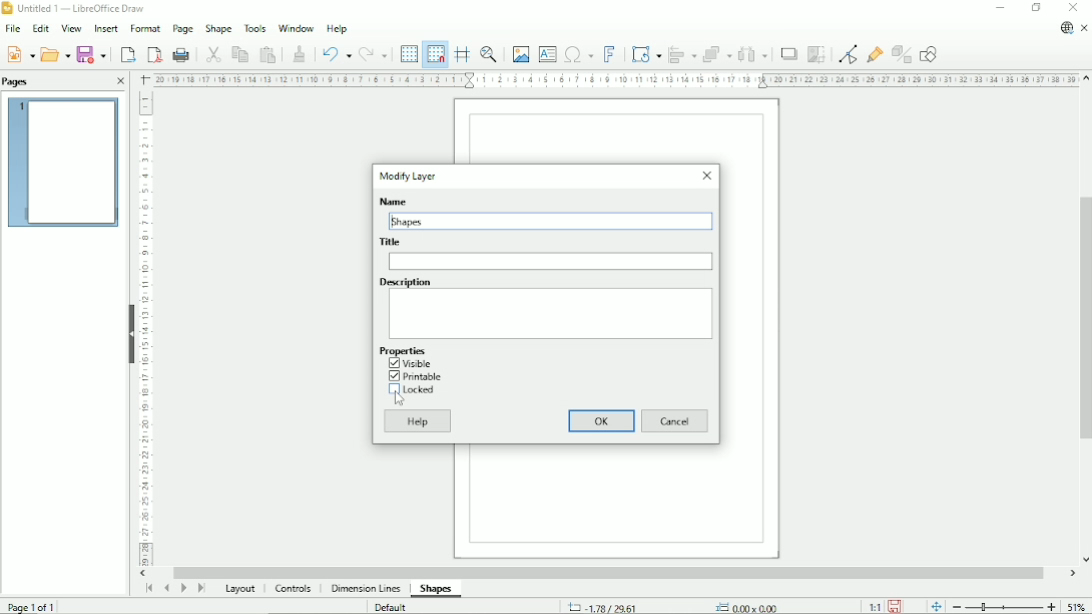 The width and height of the screenshot is (1092, 614). I want to click on Page 1 of 1, so click(33, 605).